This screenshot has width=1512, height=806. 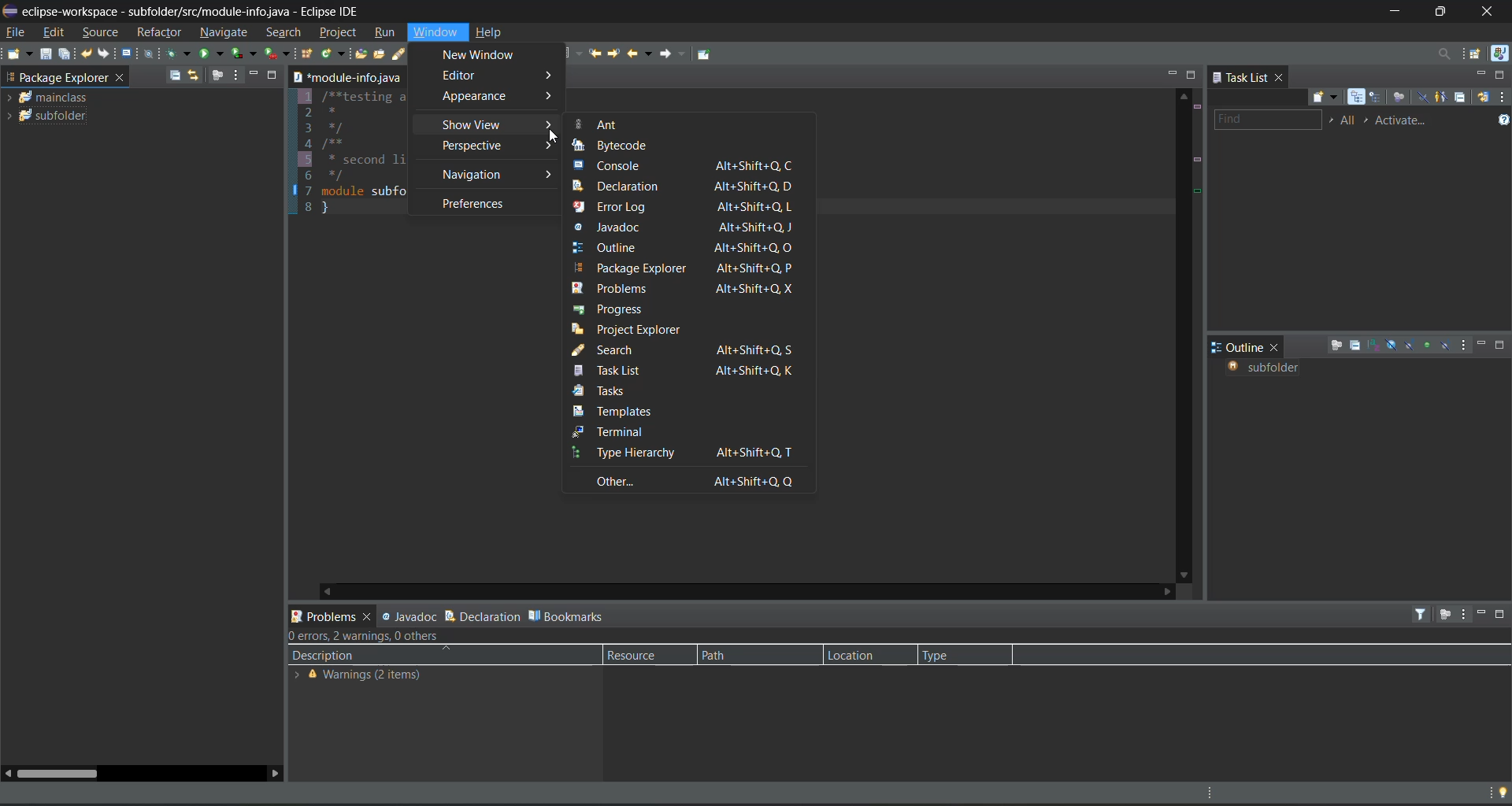 What do you see at coordinates (1484, 344) in the screenshot?
I see `minimize` at bounding box center [1484, 344].